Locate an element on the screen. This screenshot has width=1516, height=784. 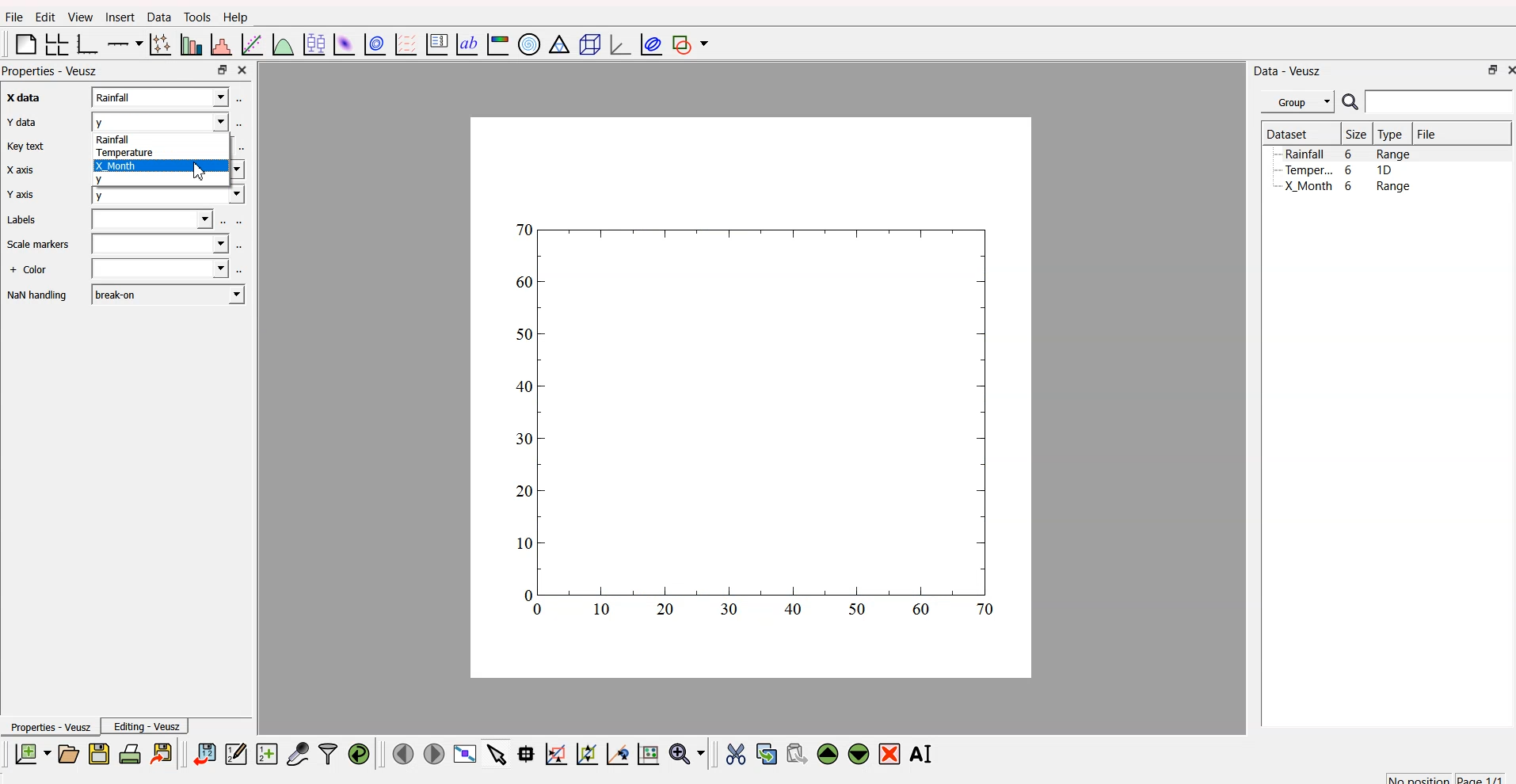
3D graph is located at coordinates (615, 44).